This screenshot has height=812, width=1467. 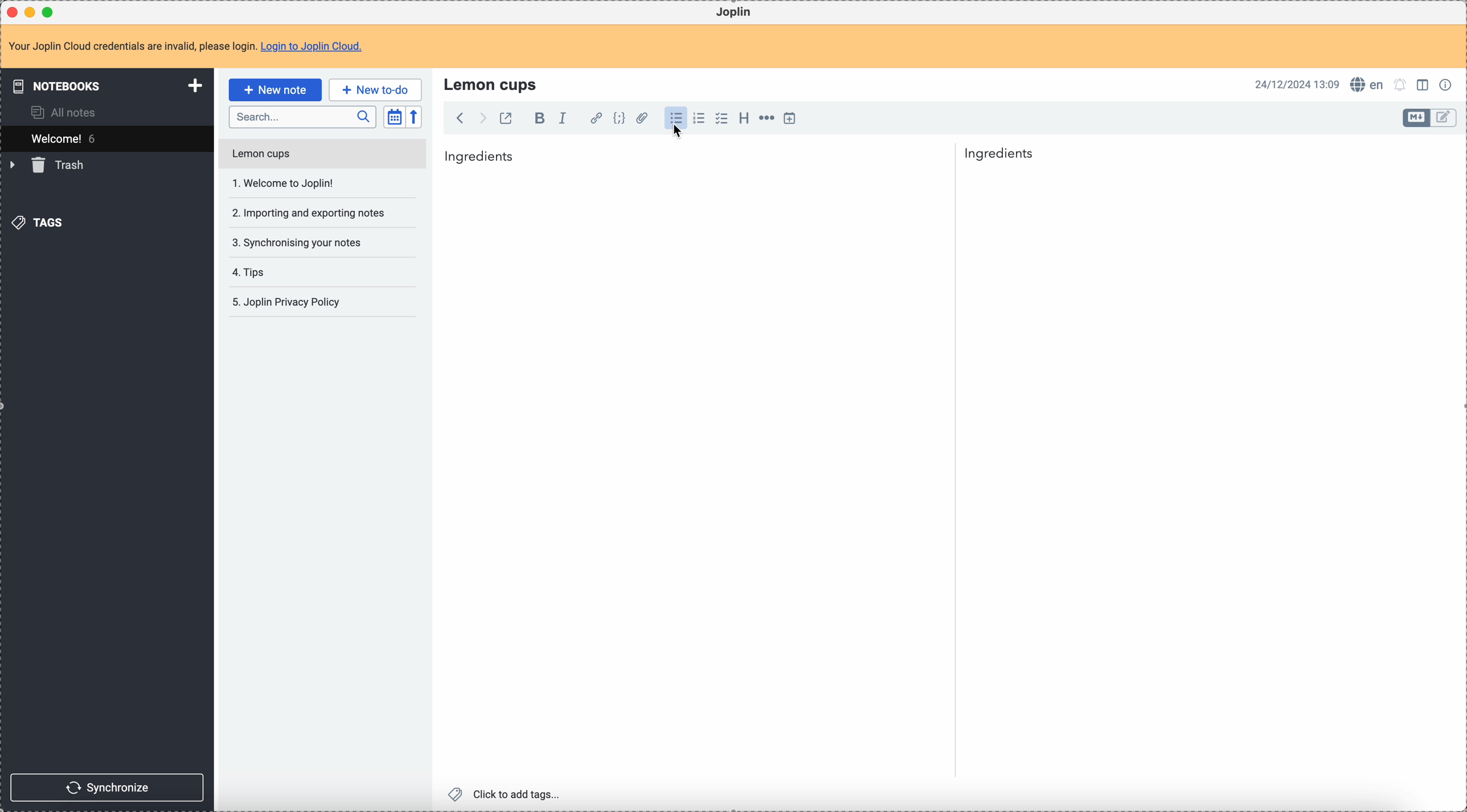 What do you see at coordinates (674, 118) in the screenshot?
I see `bulleted list` at bounding box center [674, 118].